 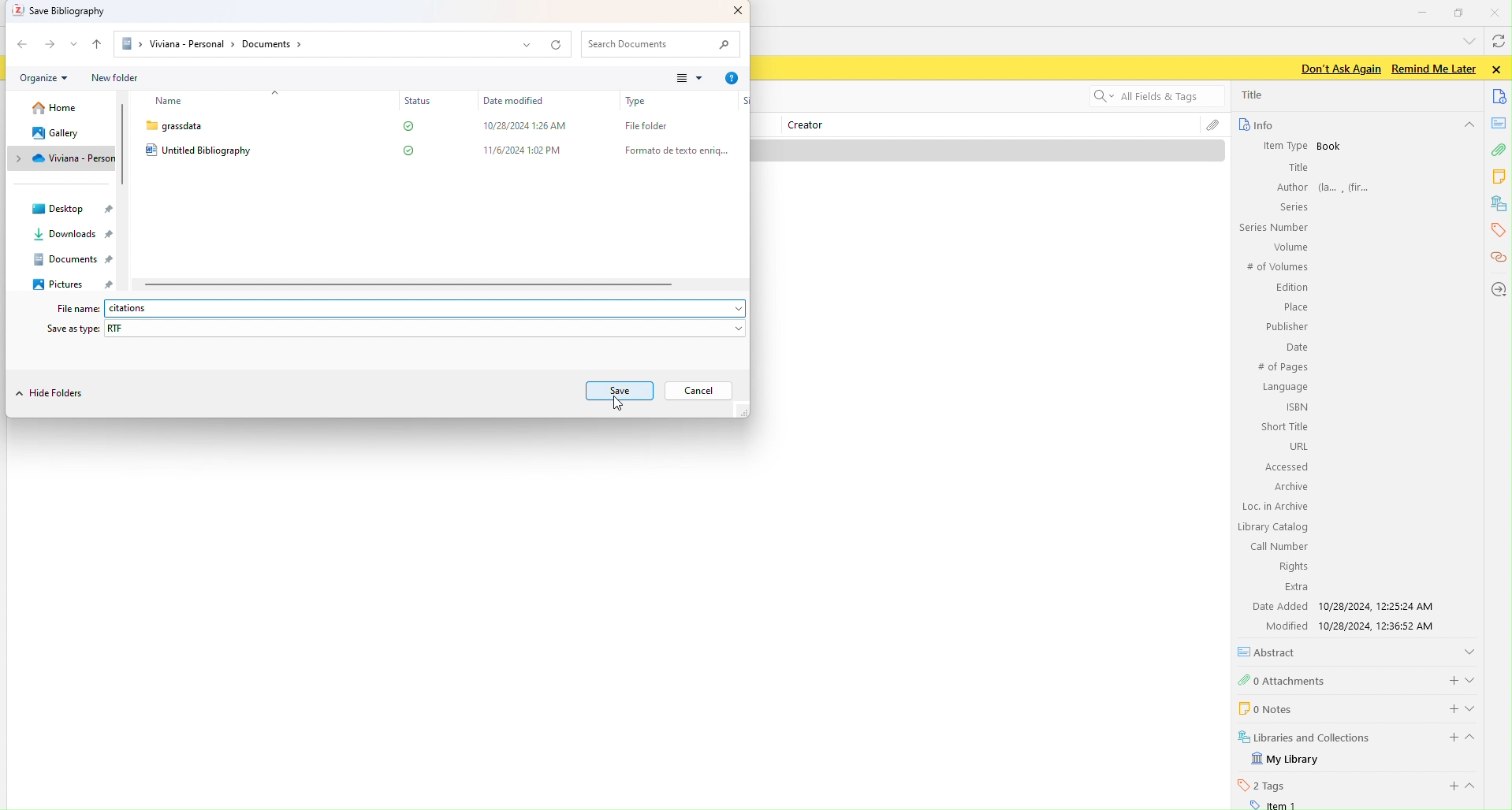 I want to click on Author, so click(x=1290, y=187).